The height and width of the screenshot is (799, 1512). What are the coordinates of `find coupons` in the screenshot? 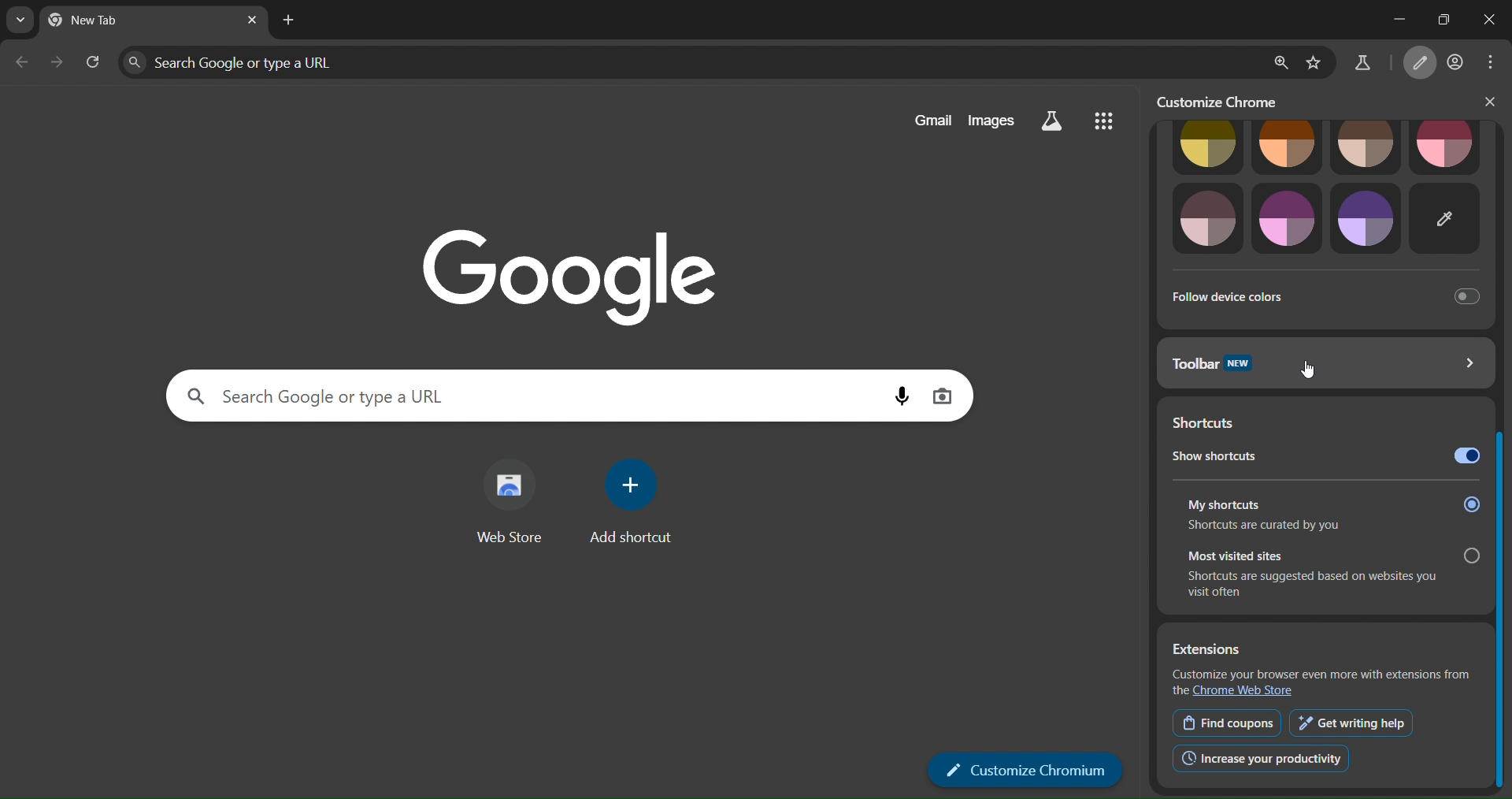 It's located at (1225, 721).